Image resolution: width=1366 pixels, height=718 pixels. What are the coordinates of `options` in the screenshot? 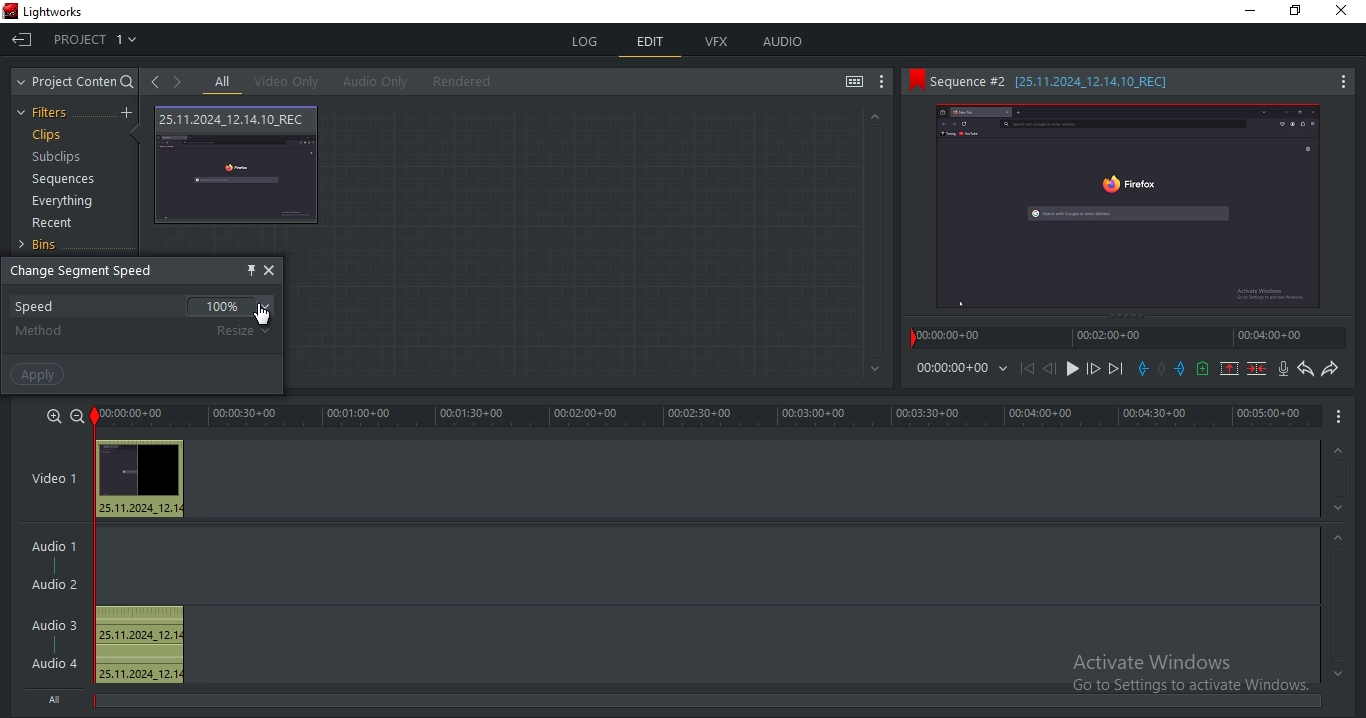 It's located at (1337, 418).